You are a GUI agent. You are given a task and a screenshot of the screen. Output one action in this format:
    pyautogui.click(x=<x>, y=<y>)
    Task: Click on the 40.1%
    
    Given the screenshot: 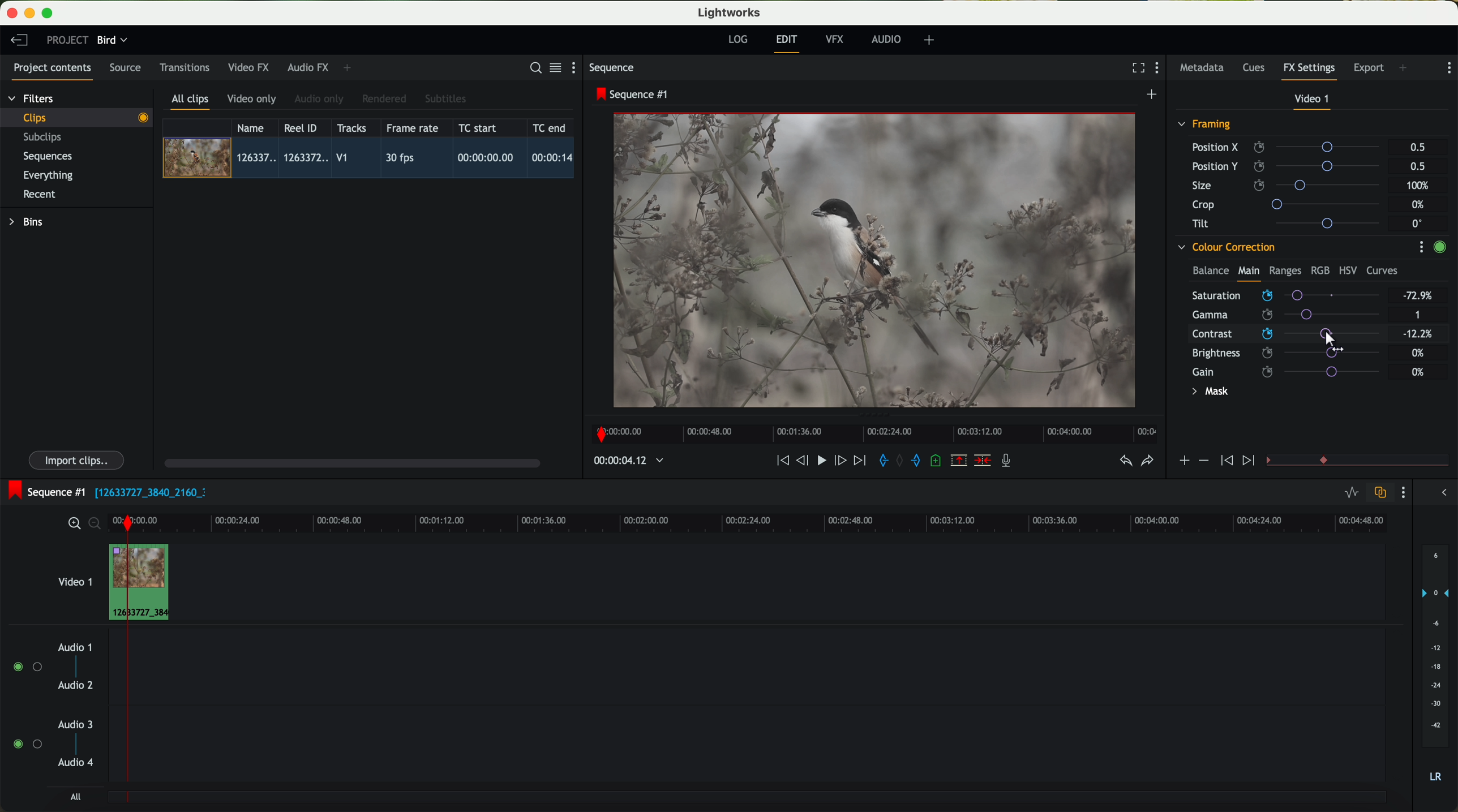 What is the action you would take?
    pyautogui.click(x=1421, y=334)
    